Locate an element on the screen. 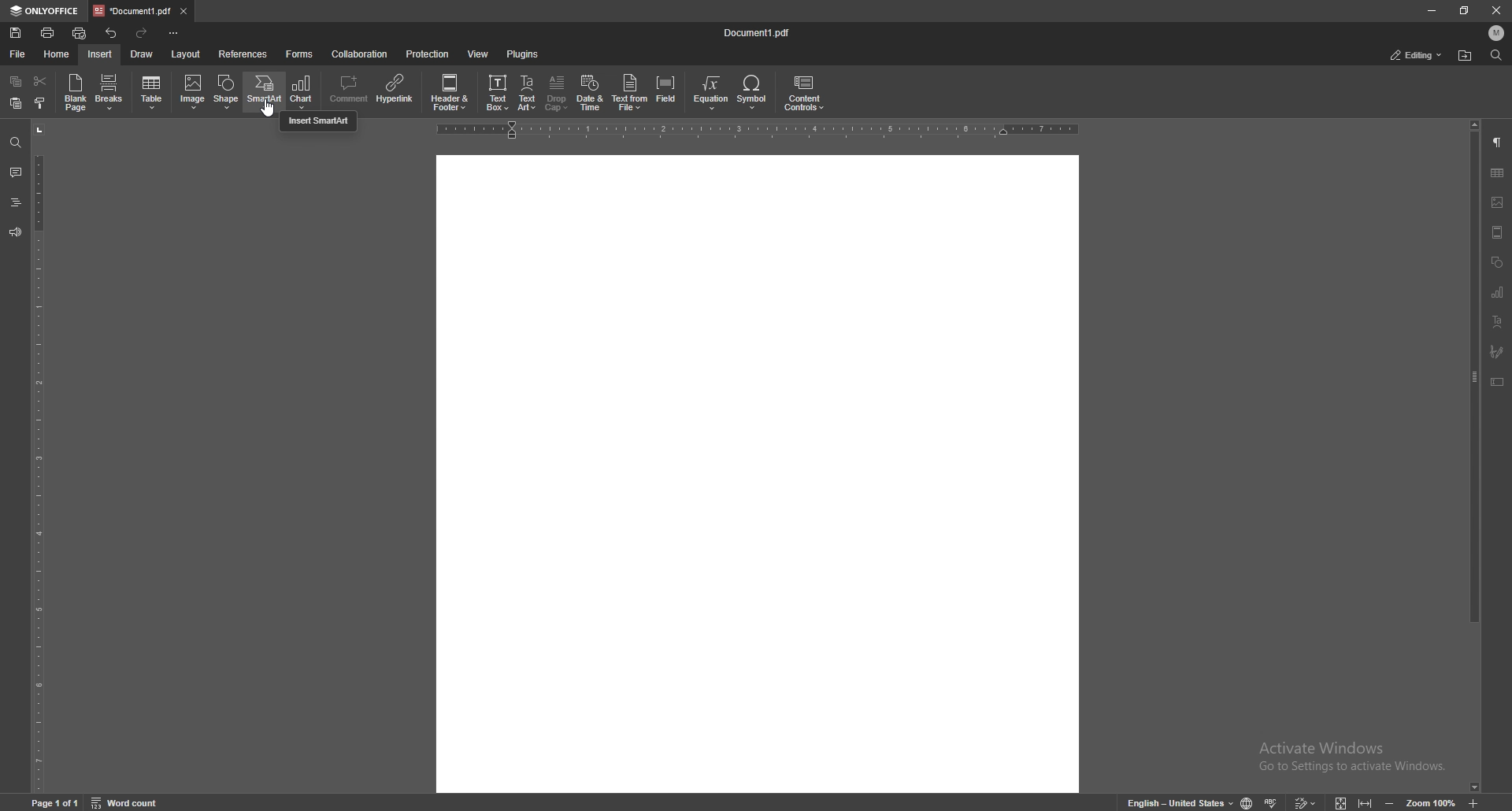 The image size is (1512, 811). find is located at coordinates (16, 143).